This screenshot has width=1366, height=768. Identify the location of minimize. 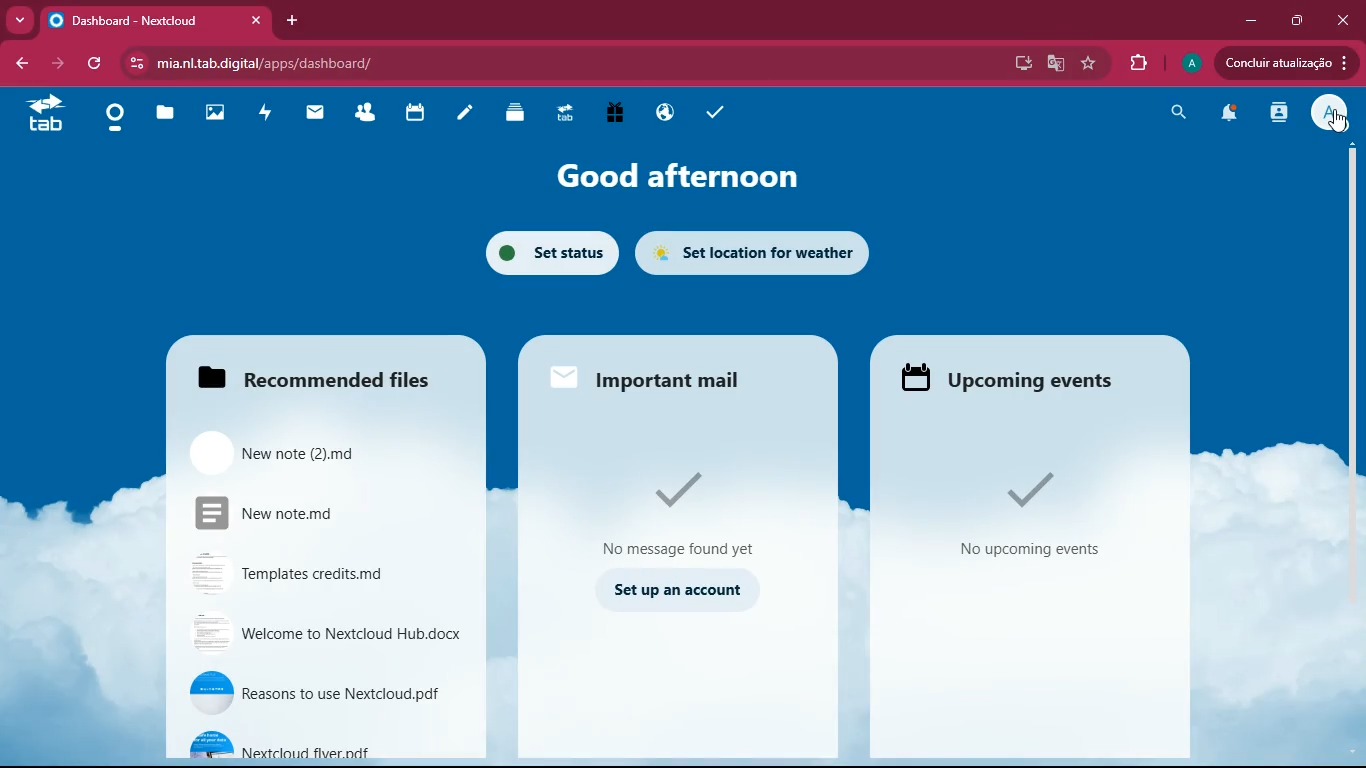
(1252, 20).